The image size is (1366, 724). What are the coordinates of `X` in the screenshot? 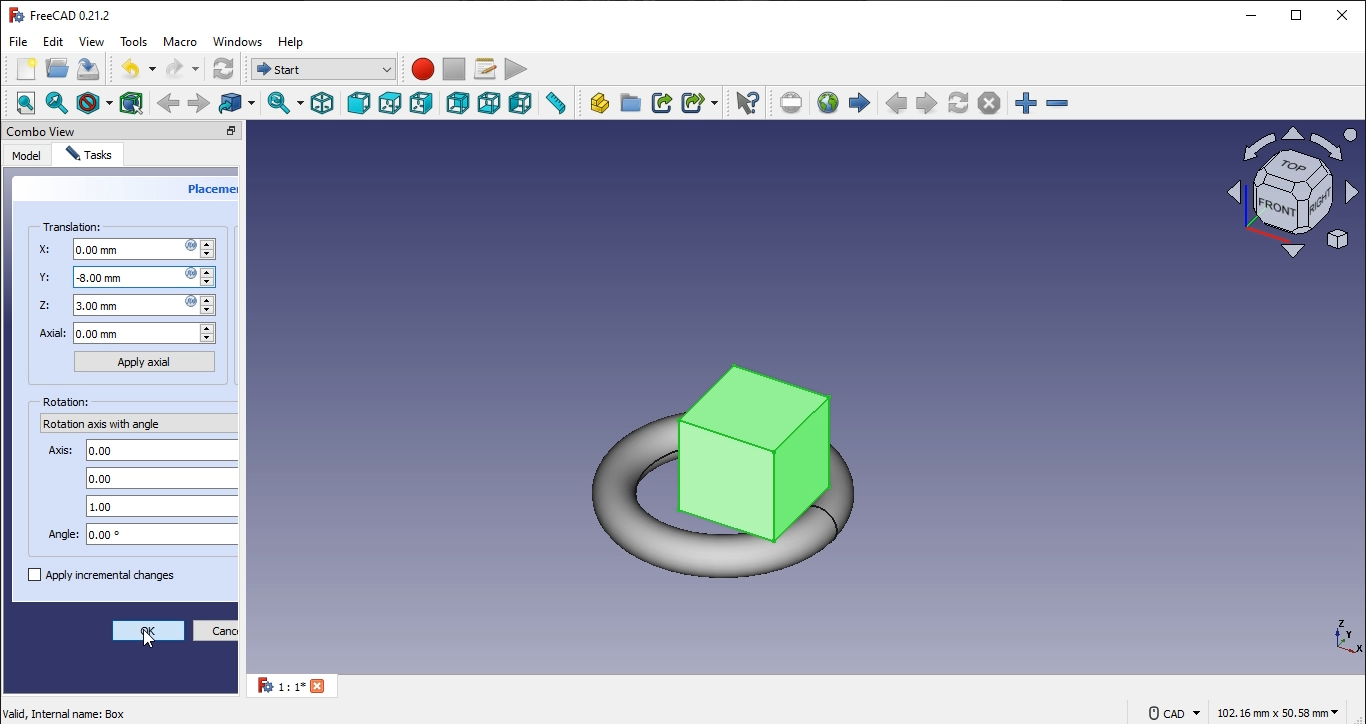 It's located at (131, 250).